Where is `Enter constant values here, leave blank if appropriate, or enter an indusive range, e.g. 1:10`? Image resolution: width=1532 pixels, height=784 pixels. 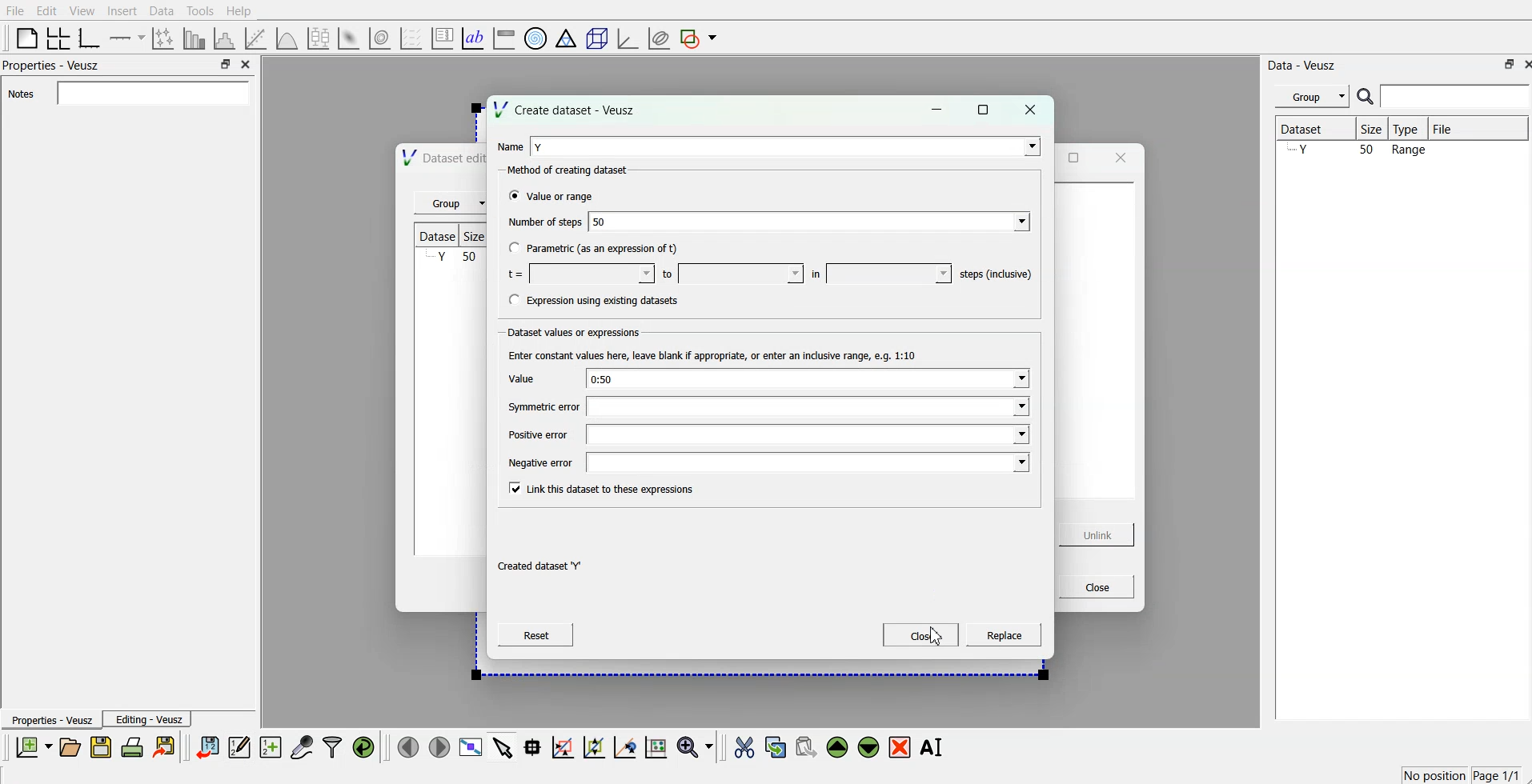 Enter constant values here, leave blank if appropriate, or enter an indusive range, e.g. 1:10 is located at coordinates (716, 357).